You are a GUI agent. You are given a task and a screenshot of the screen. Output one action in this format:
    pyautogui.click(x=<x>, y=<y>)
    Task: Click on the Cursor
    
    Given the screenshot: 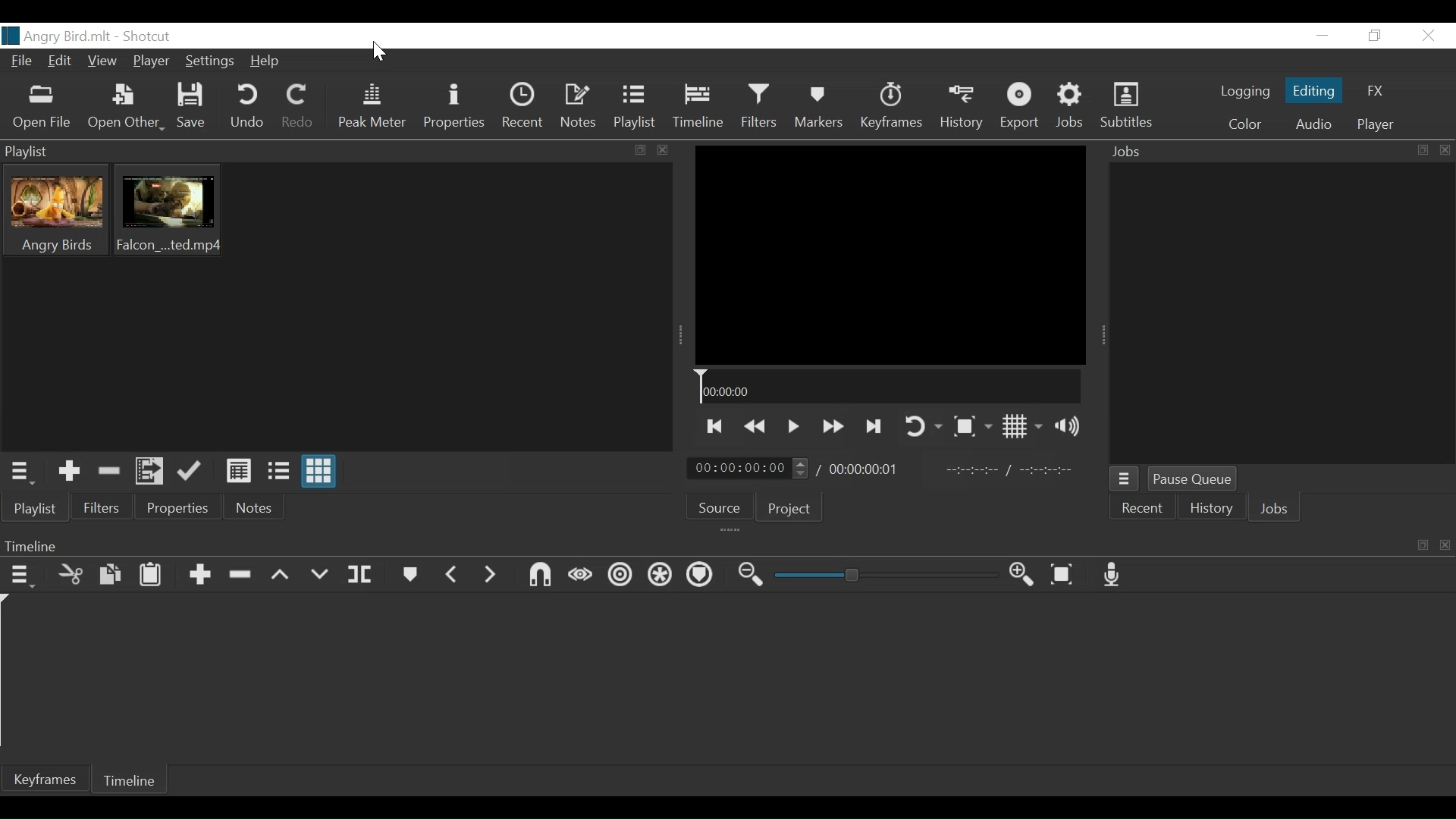 What is the action you would take?
    pyautogui.click(x=377, y=52)
    